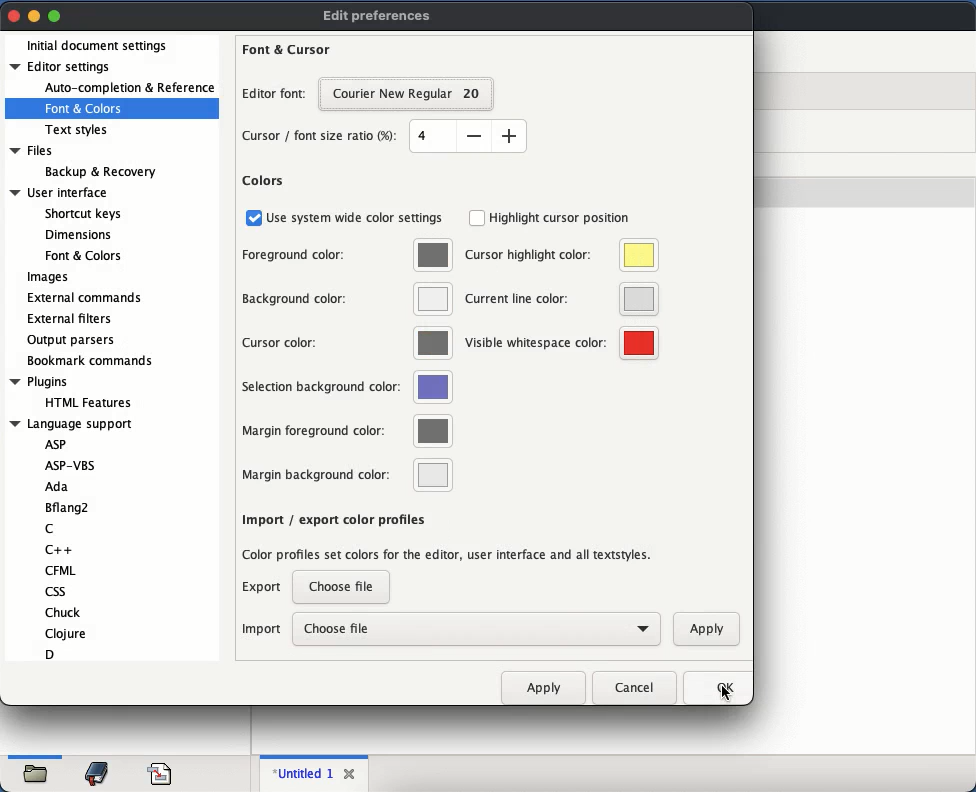  What do you see at coordinates (89, 402) in the screenshot?
I see `HTML Features` at bounding box center [89, 402].